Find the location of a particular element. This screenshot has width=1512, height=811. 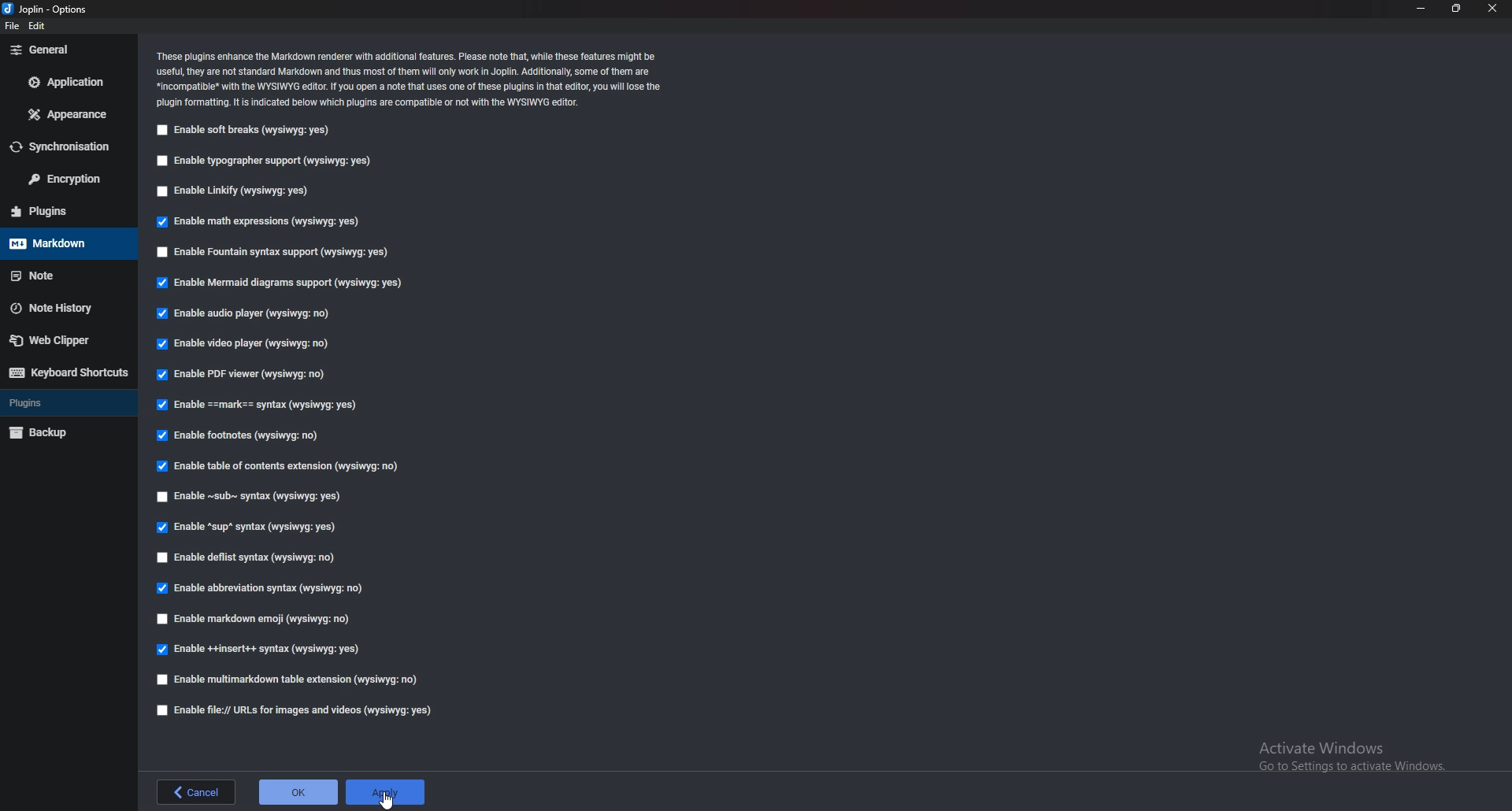

Enable footnotes is located at coordinates (239, 436).